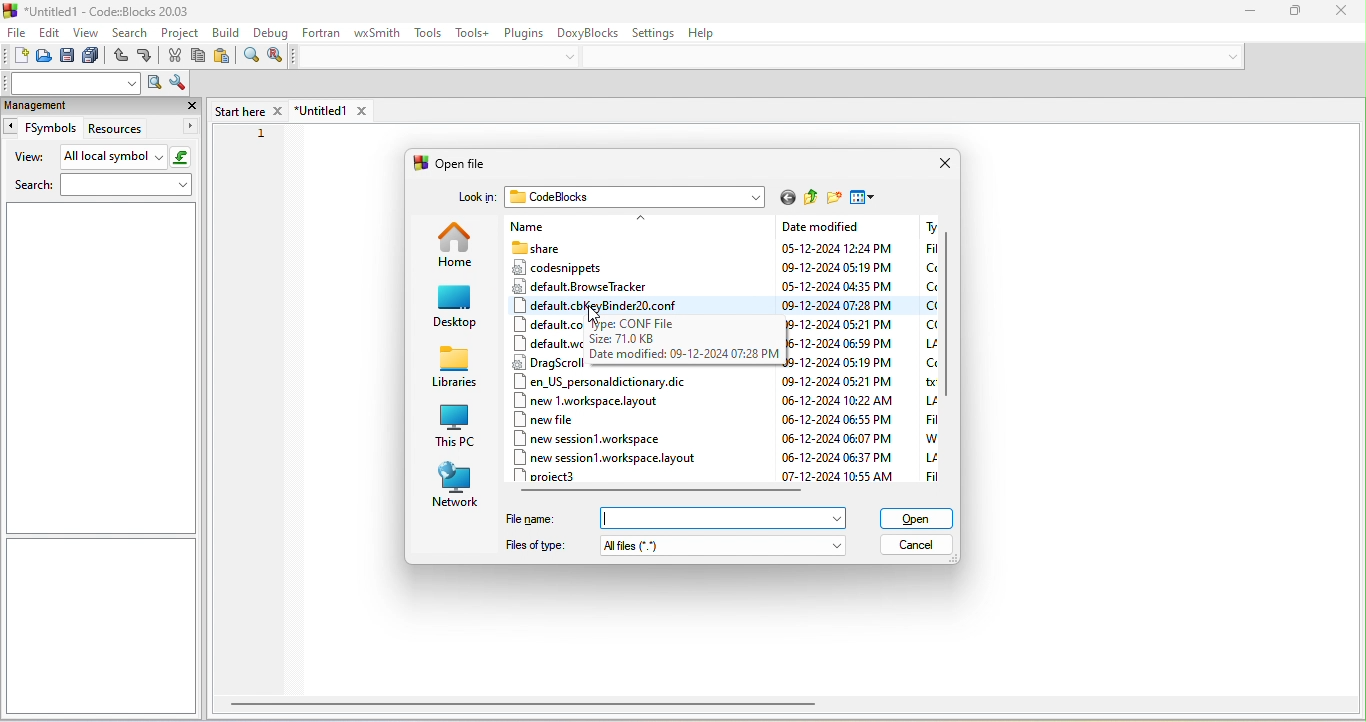  I want to click on dropdown, so click(1229, 54).